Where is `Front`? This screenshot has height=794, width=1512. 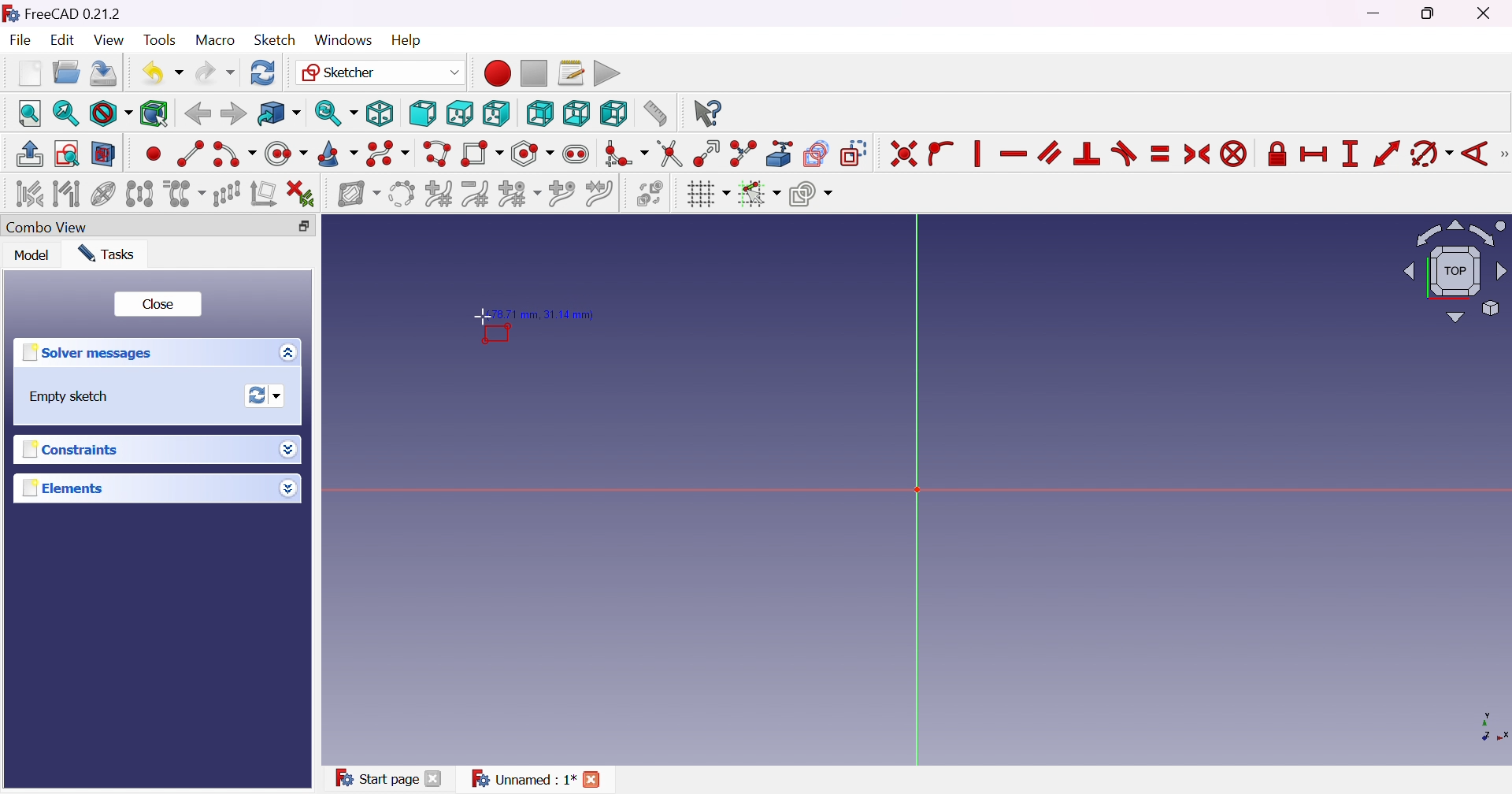
Front is located at coordinates (422, 114).